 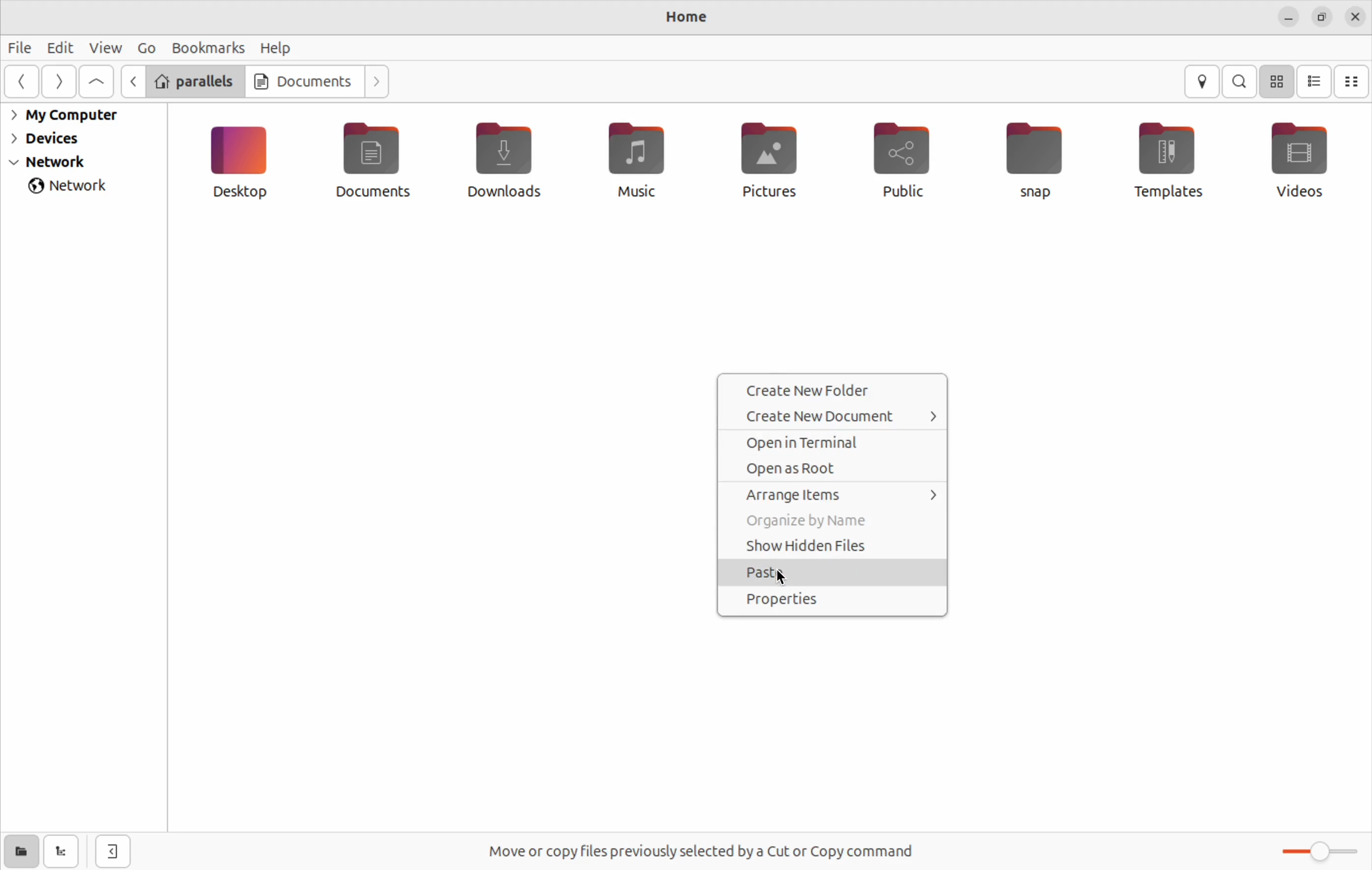 I want to click on bullet view, so click(x=1314, y=80).